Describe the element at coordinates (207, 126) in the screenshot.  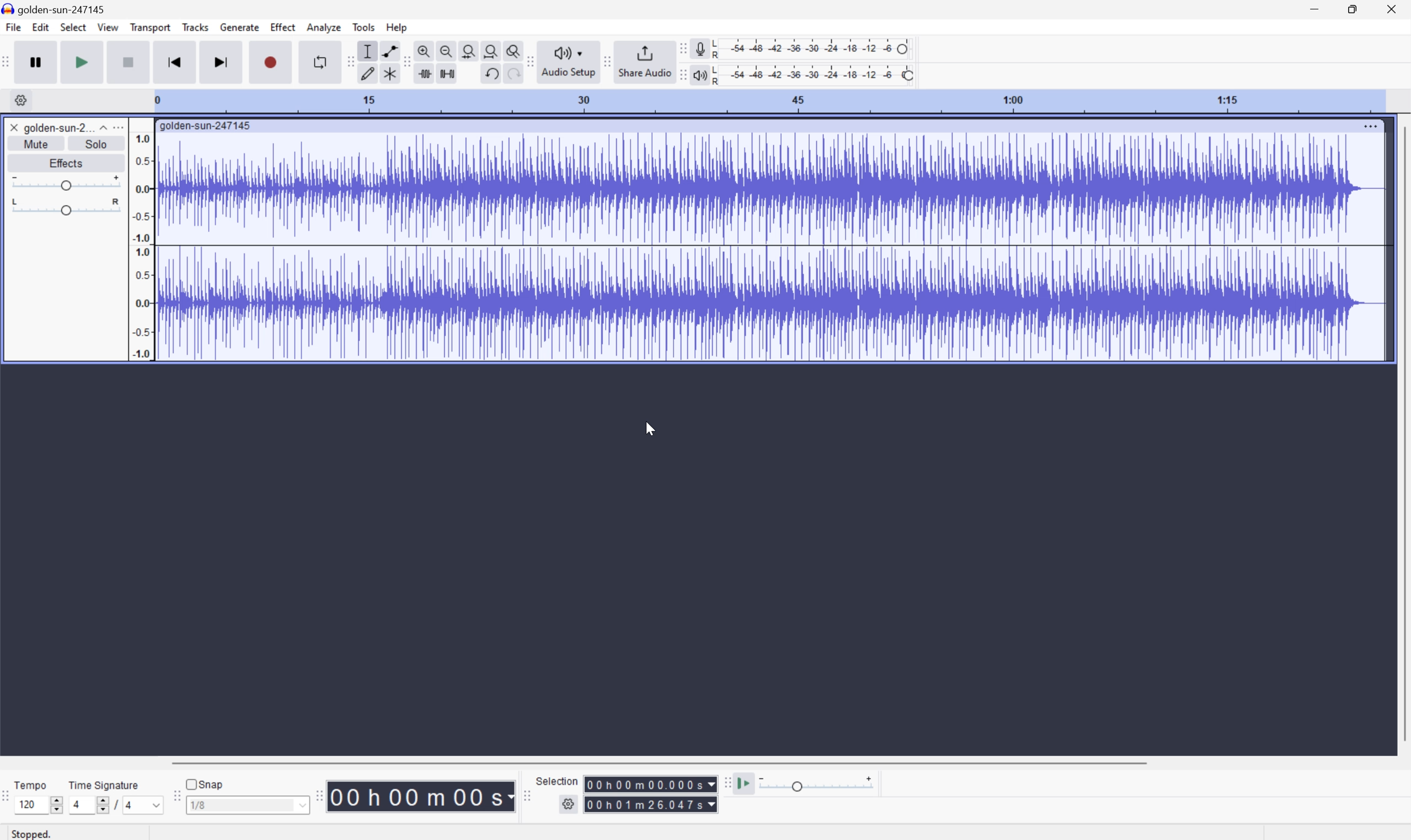
I see `golden-sun-247145` at that location.